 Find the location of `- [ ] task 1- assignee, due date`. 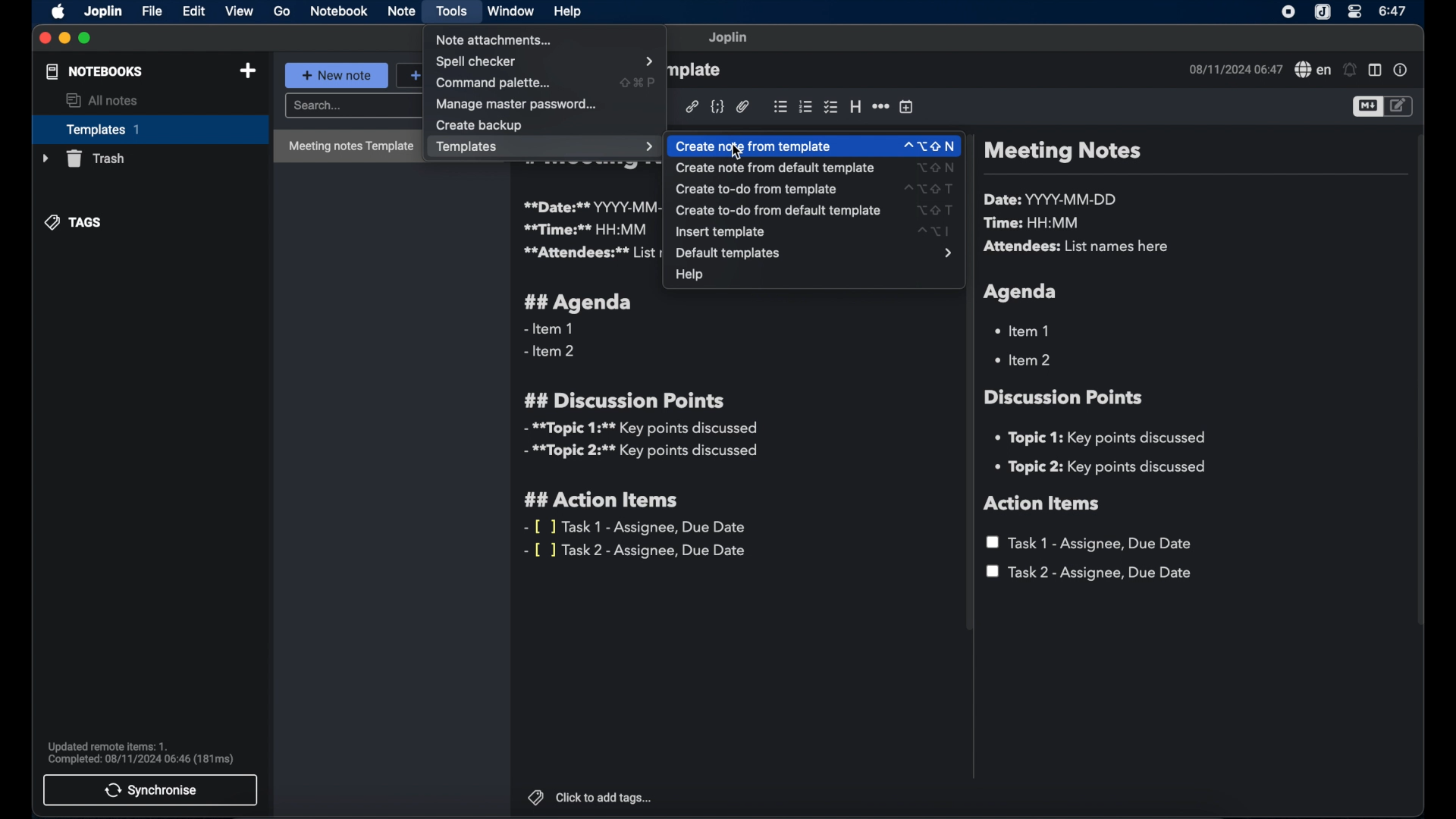

- [ ] task 1- assignee, due date is located at coordinates (636, 527).